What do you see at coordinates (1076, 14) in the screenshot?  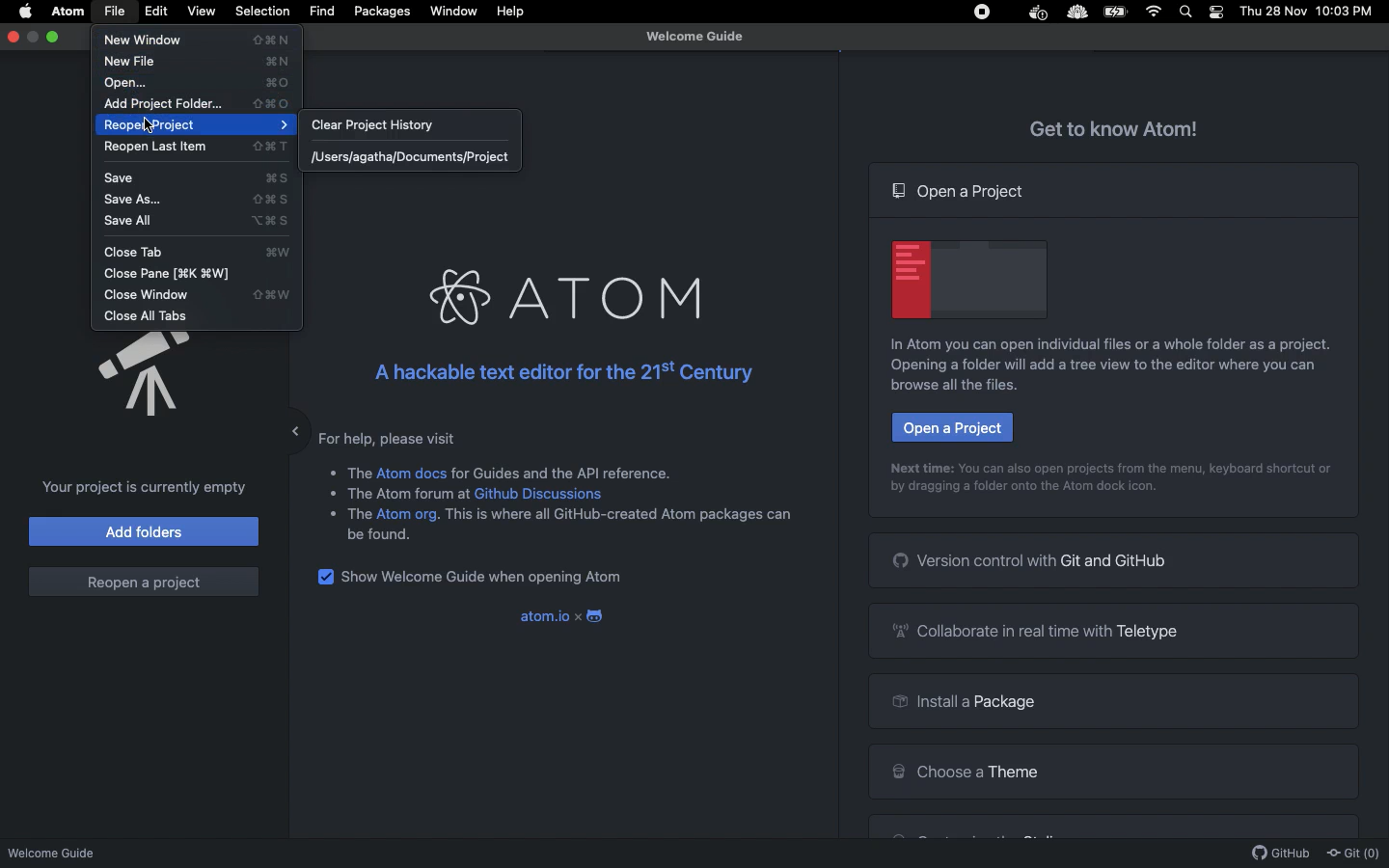 I see `` at bounding box center [1076, 14].